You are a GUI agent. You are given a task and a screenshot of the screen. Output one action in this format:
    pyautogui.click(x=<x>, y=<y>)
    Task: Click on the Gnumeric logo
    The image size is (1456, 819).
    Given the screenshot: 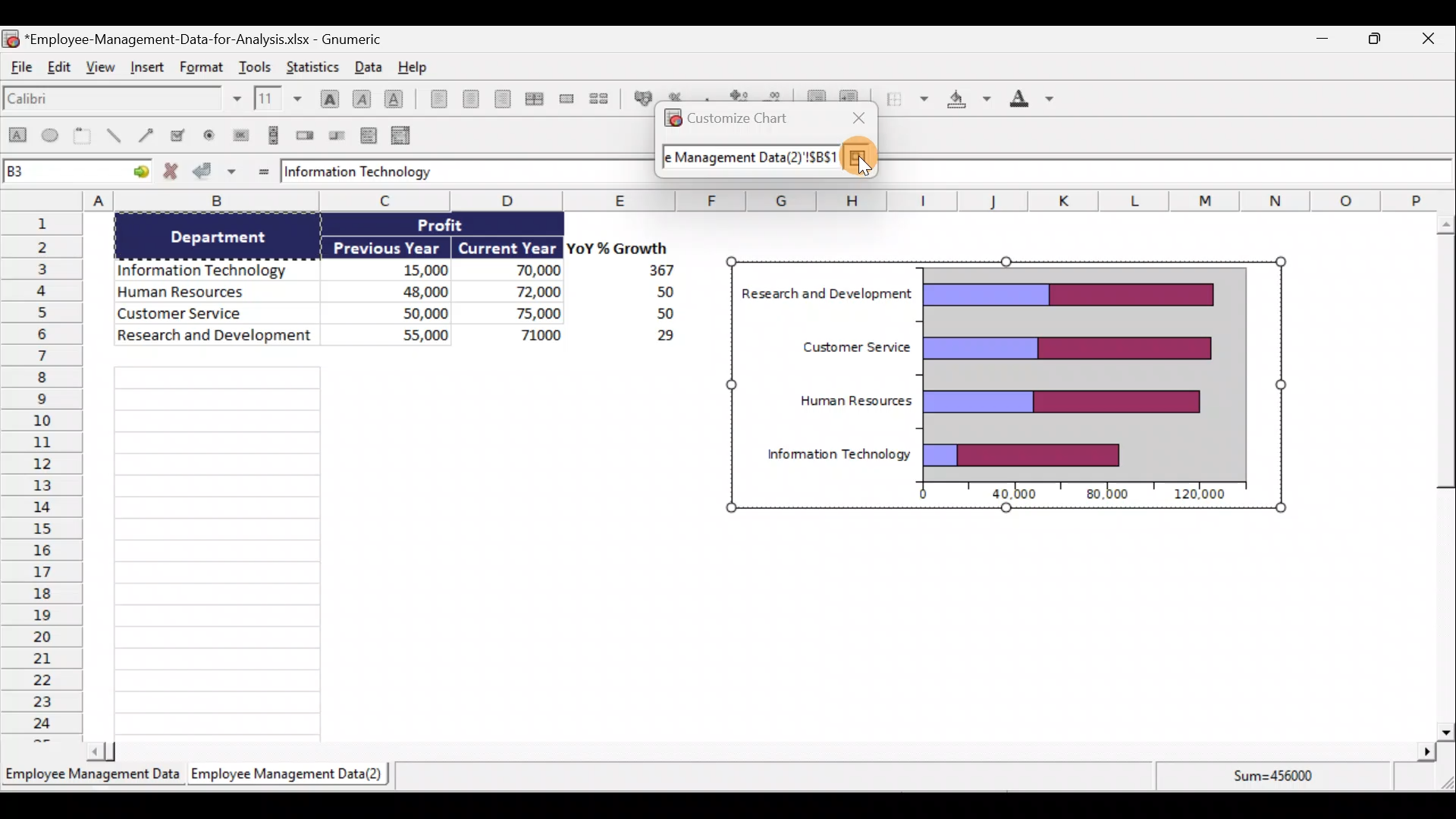 What is the action you would take?
    pyautogui.click(x=670, y=120)
    